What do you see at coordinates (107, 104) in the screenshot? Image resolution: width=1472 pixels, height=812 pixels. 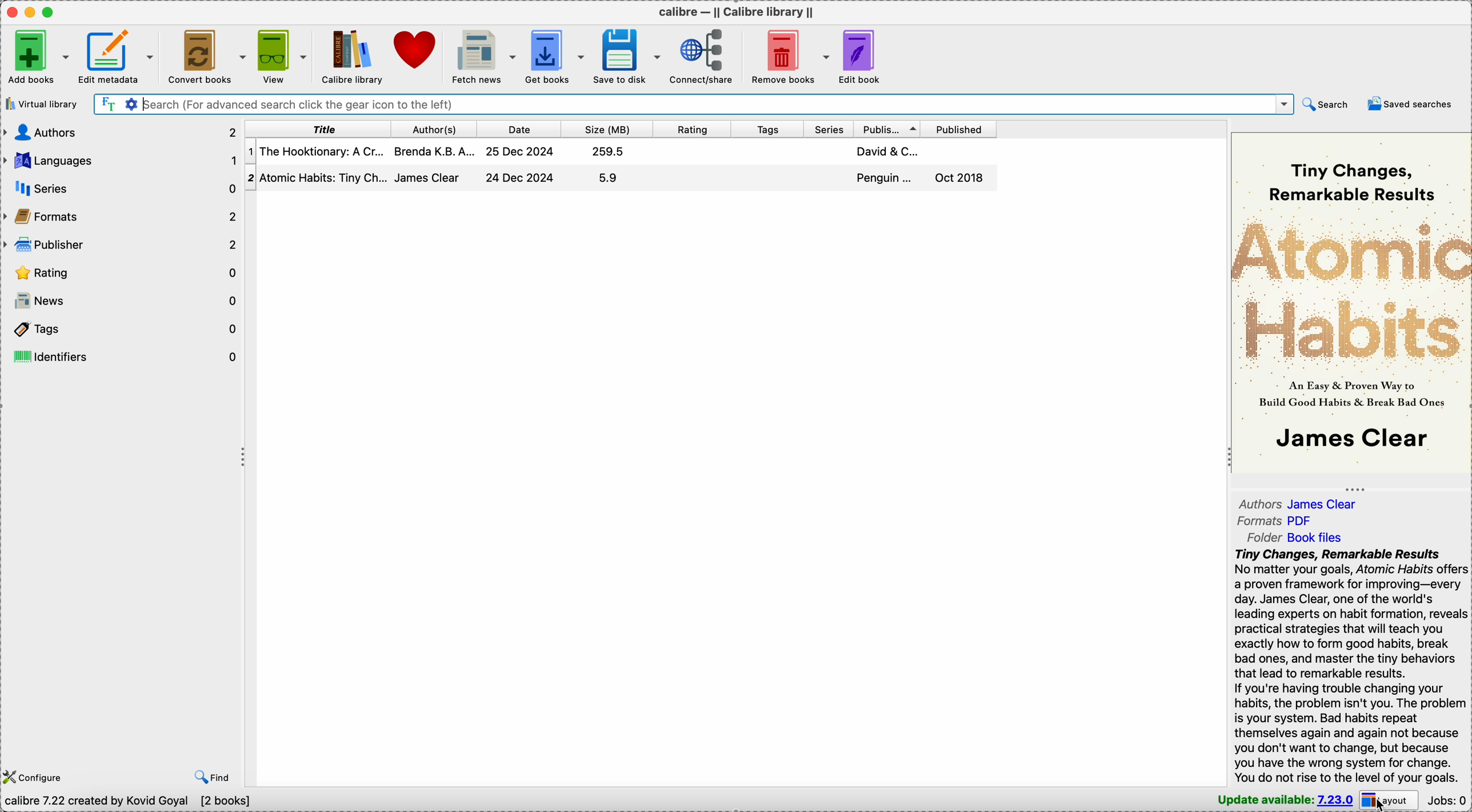 I see `search the text of all books in the library` at bounding box center [107, 104].